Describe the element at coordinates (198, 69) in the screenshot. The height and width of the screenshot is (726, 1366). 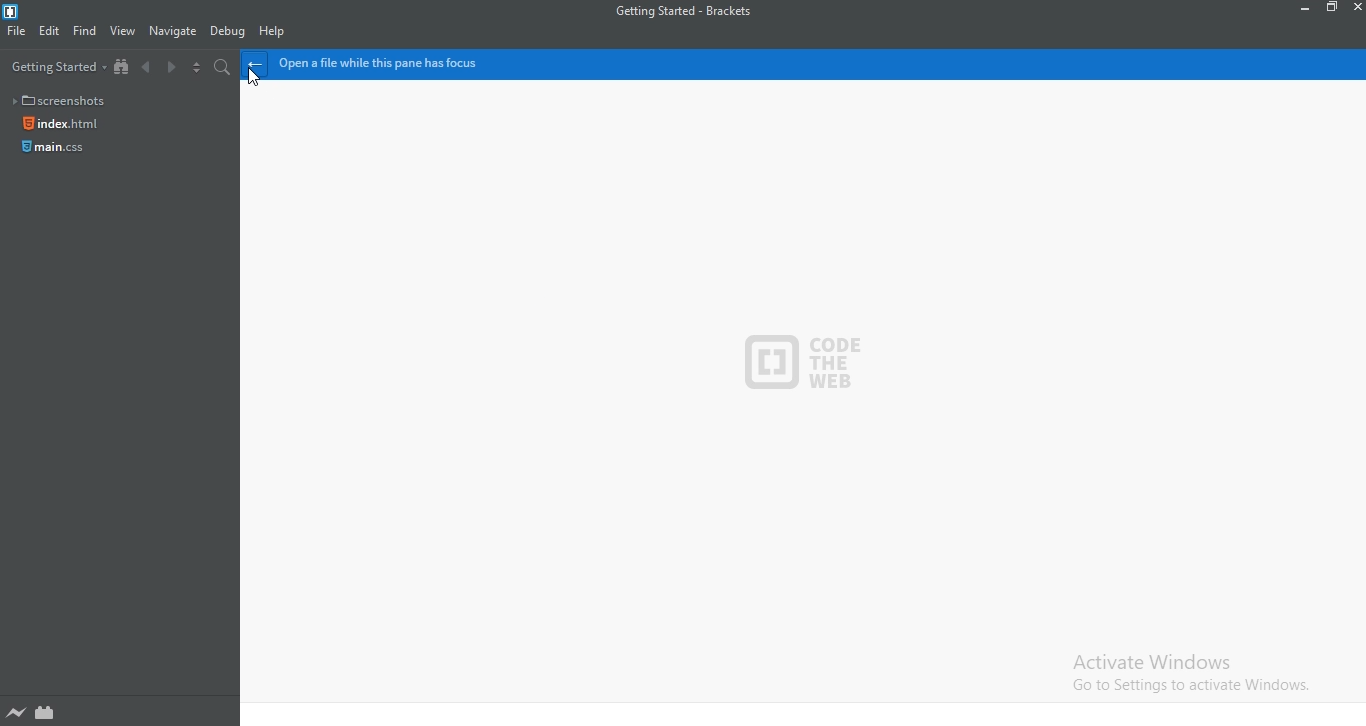
I see `Split the editor vertically or horizontally` at that location.